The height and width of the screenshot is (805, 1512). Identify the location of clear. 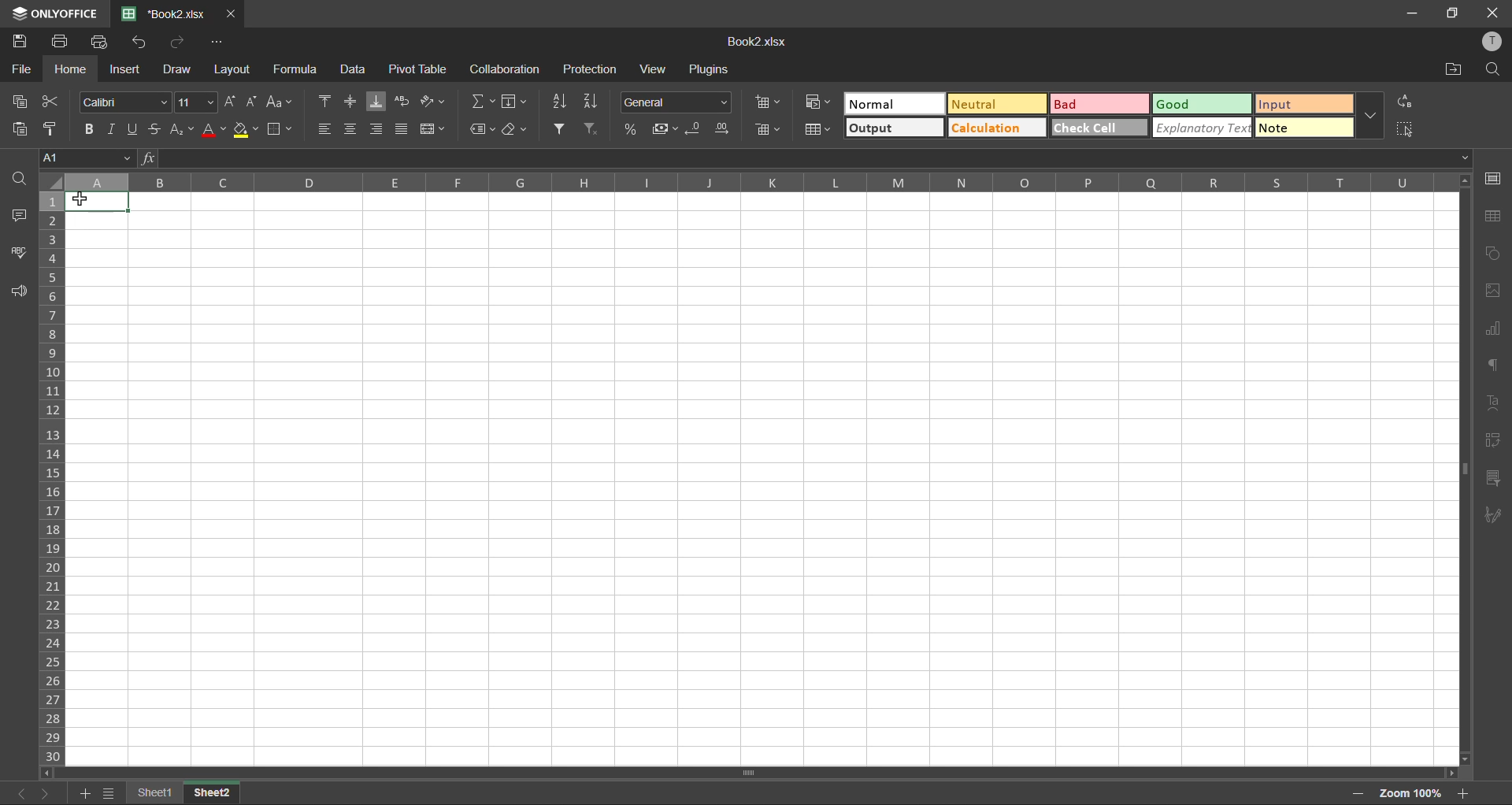
(518, 129).